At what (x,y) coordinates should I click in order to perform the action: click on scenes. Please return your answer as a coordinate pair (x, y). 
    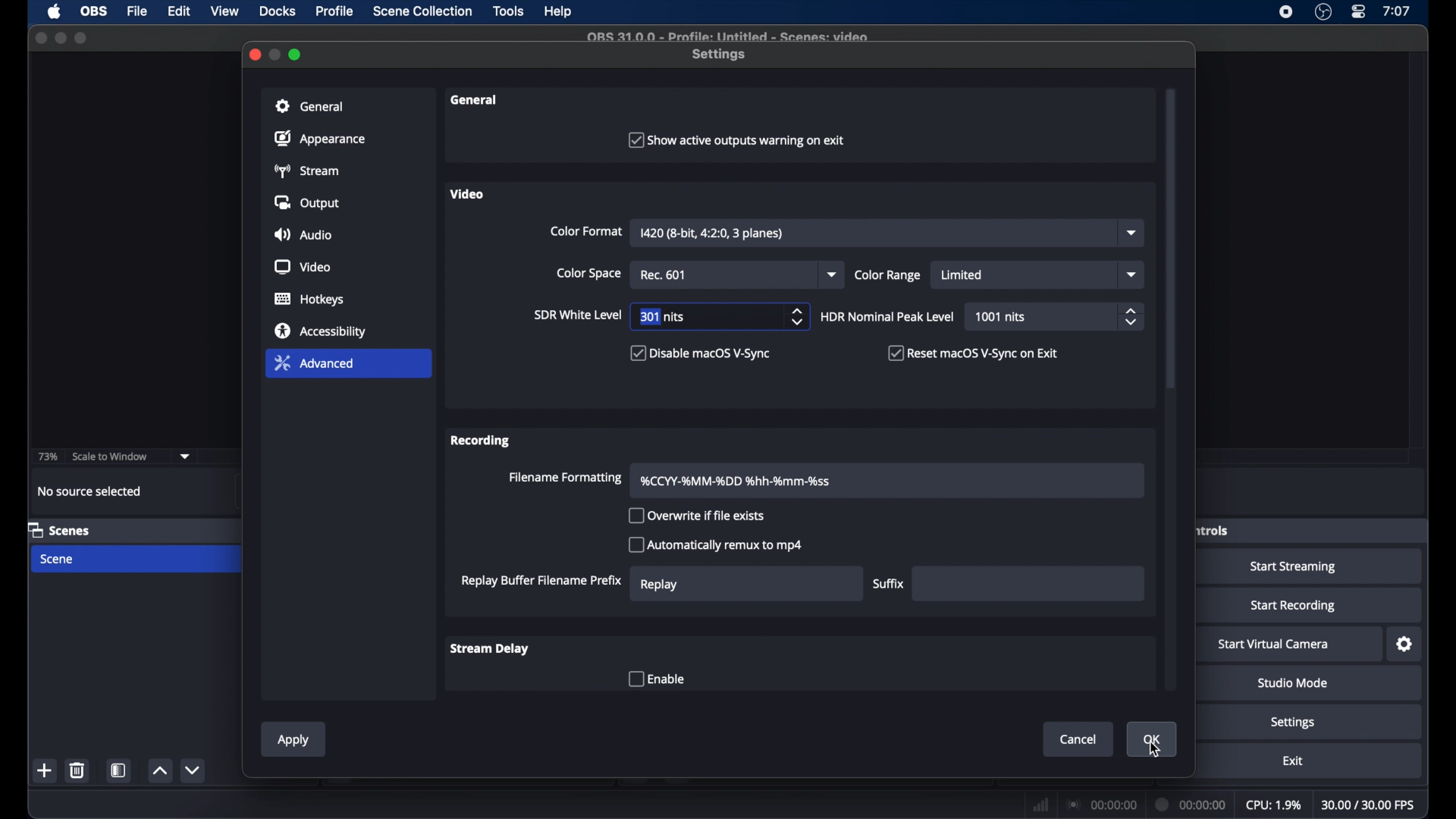
    Looking at the image, I should click on (58, 530).